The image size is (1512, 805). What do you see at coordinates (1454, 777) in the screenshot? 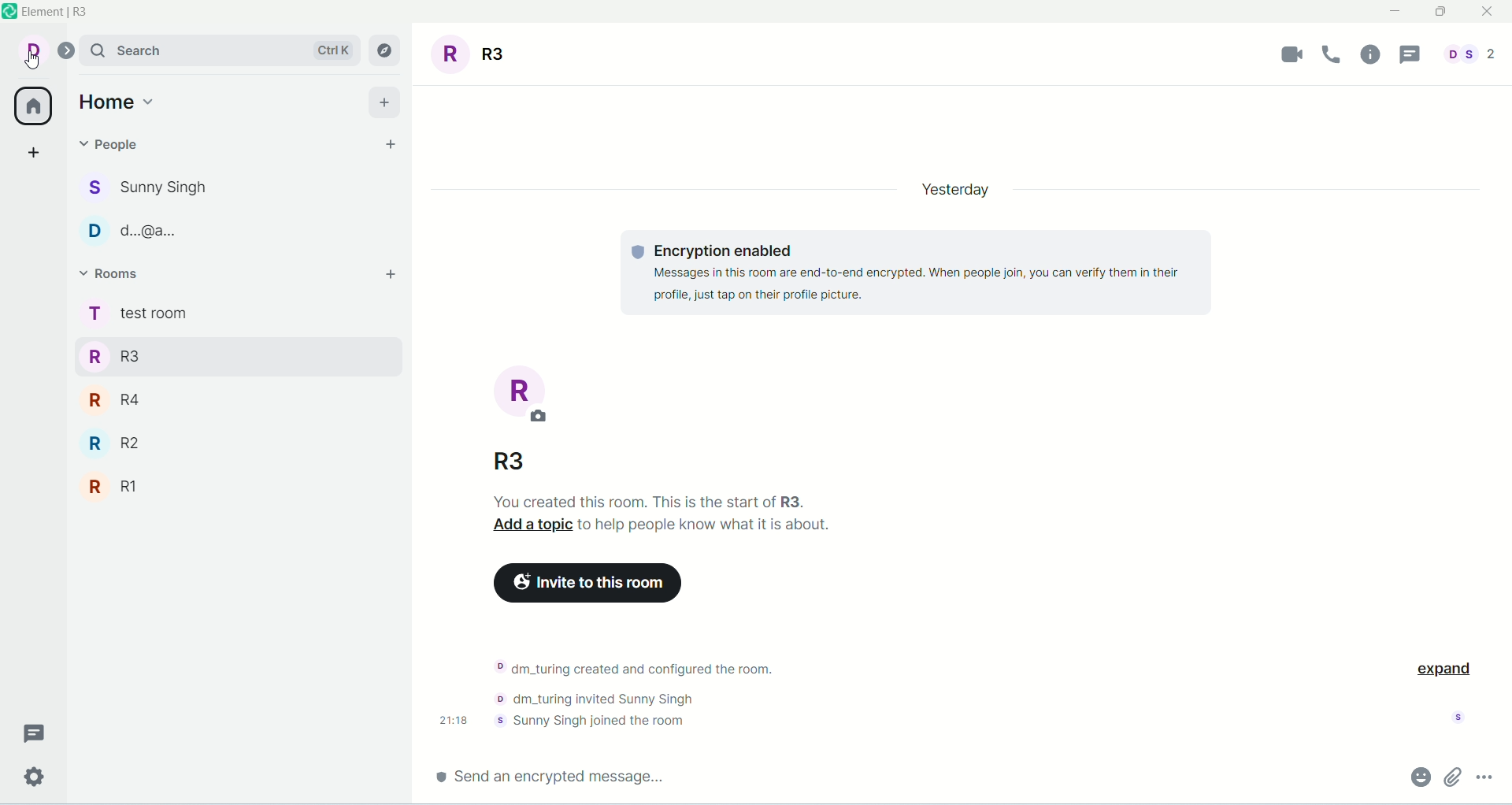
I see `attachment` at bounding box center [1454, 777].